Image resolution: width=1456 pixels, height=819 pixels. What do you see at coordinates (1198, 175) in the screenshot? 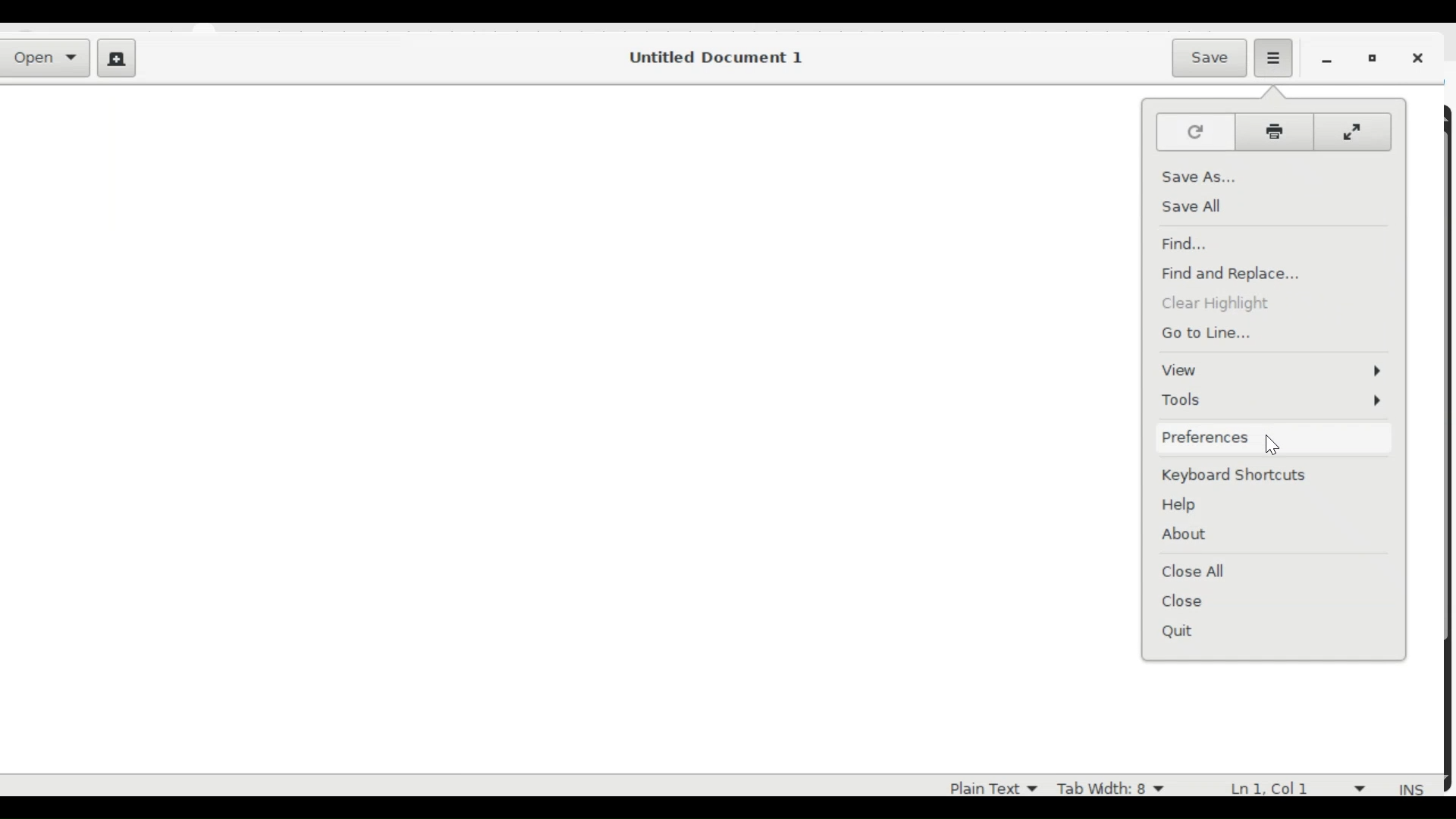
I see `Save as` at bounding box center [1198, 175].